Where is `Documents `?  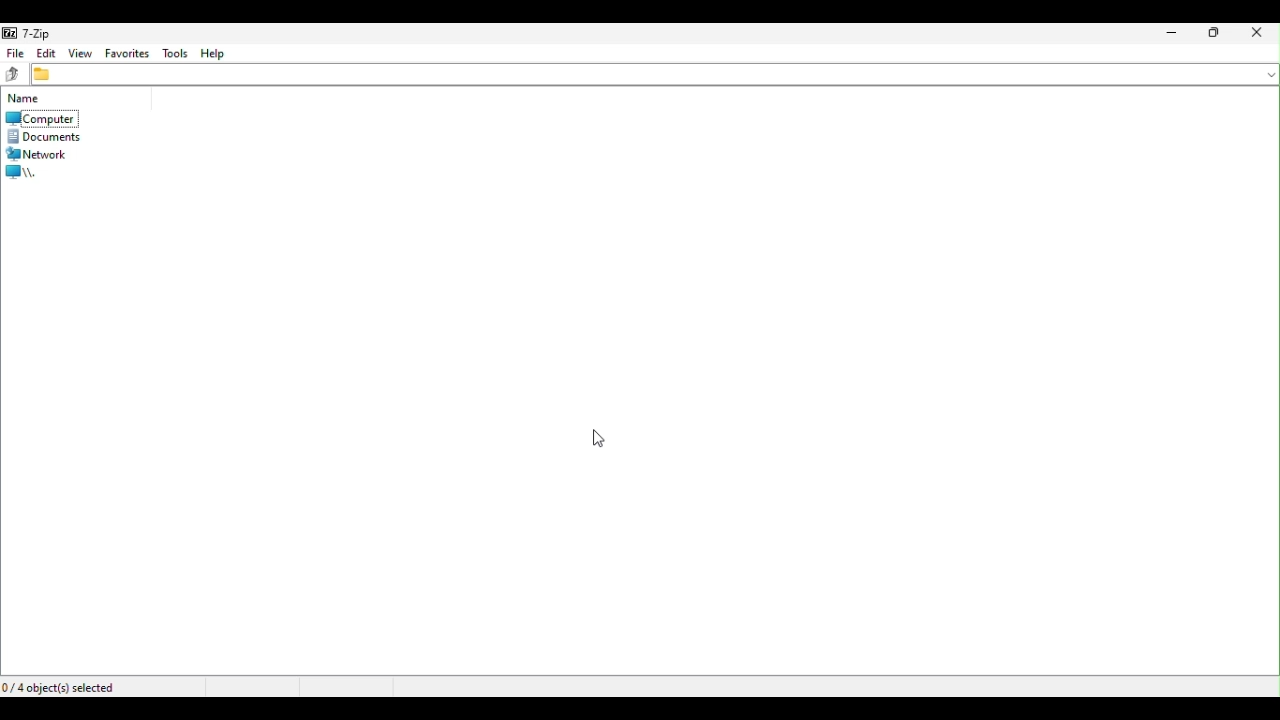 Documents  is located at coordinates (53, 138).